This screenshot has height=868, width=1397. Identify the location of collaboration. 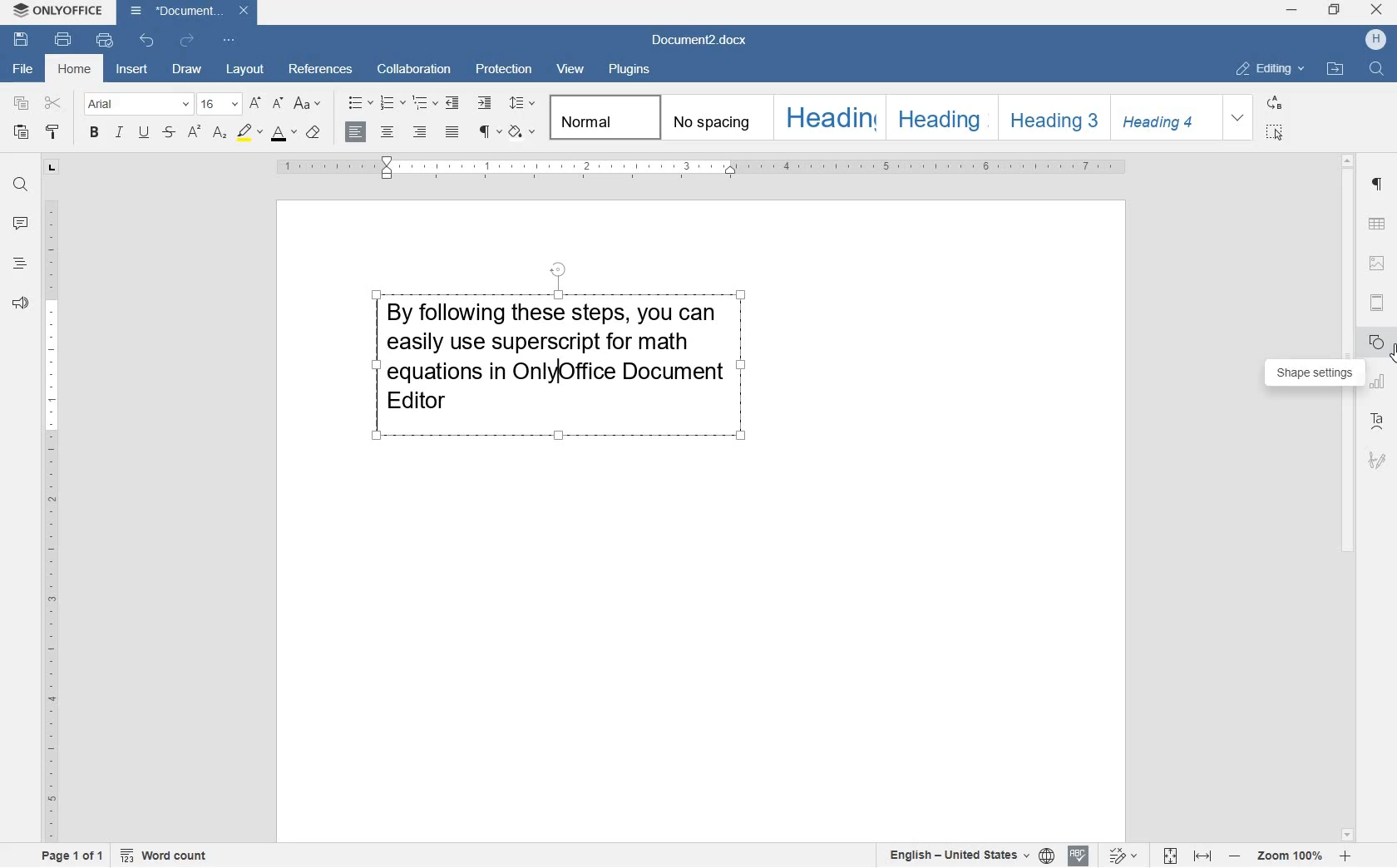
(417, 68).